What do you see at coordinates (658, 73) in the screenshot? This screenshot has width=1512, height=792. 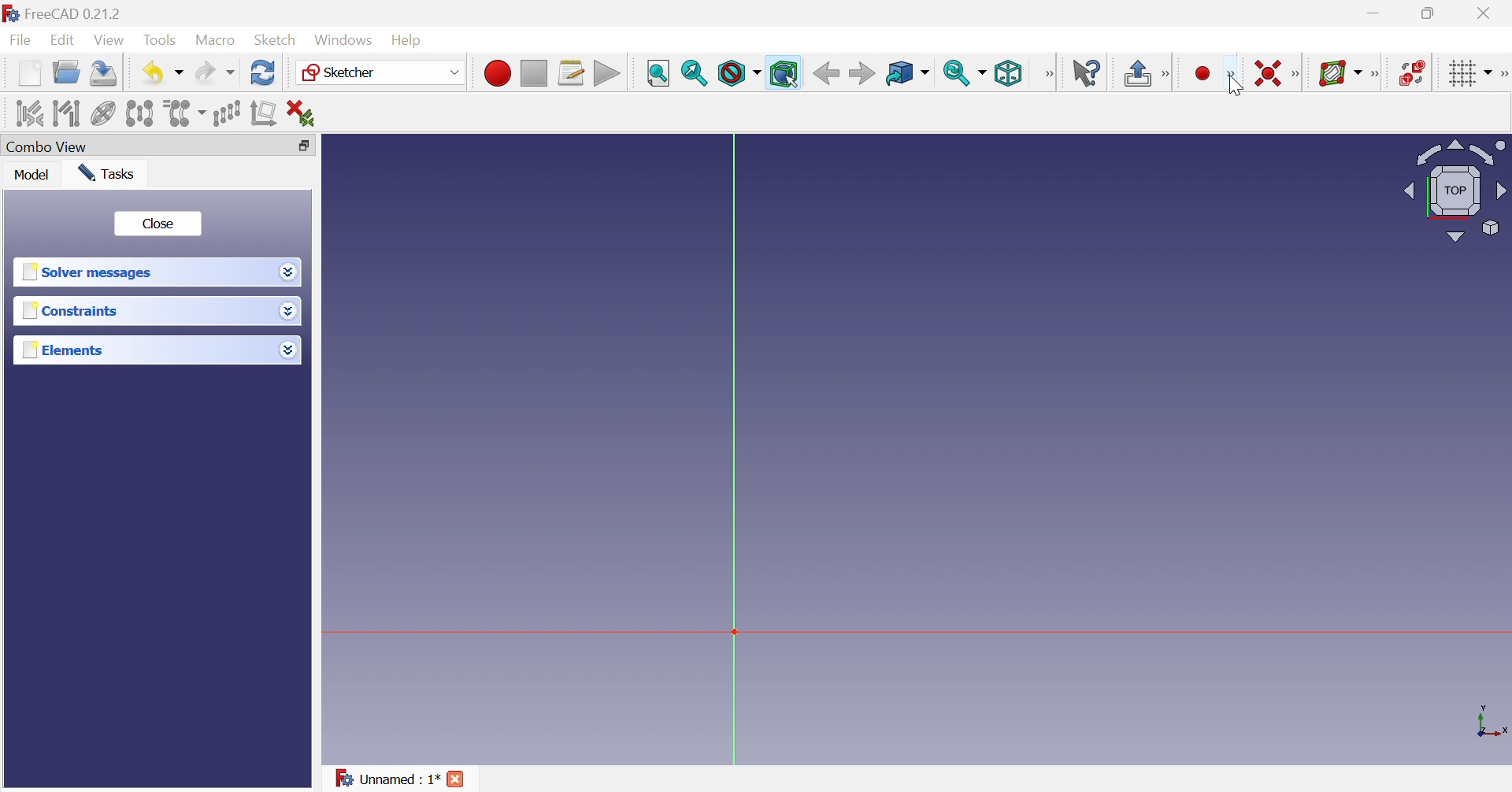 I see `Fit all` at bounding box center [658, 73].